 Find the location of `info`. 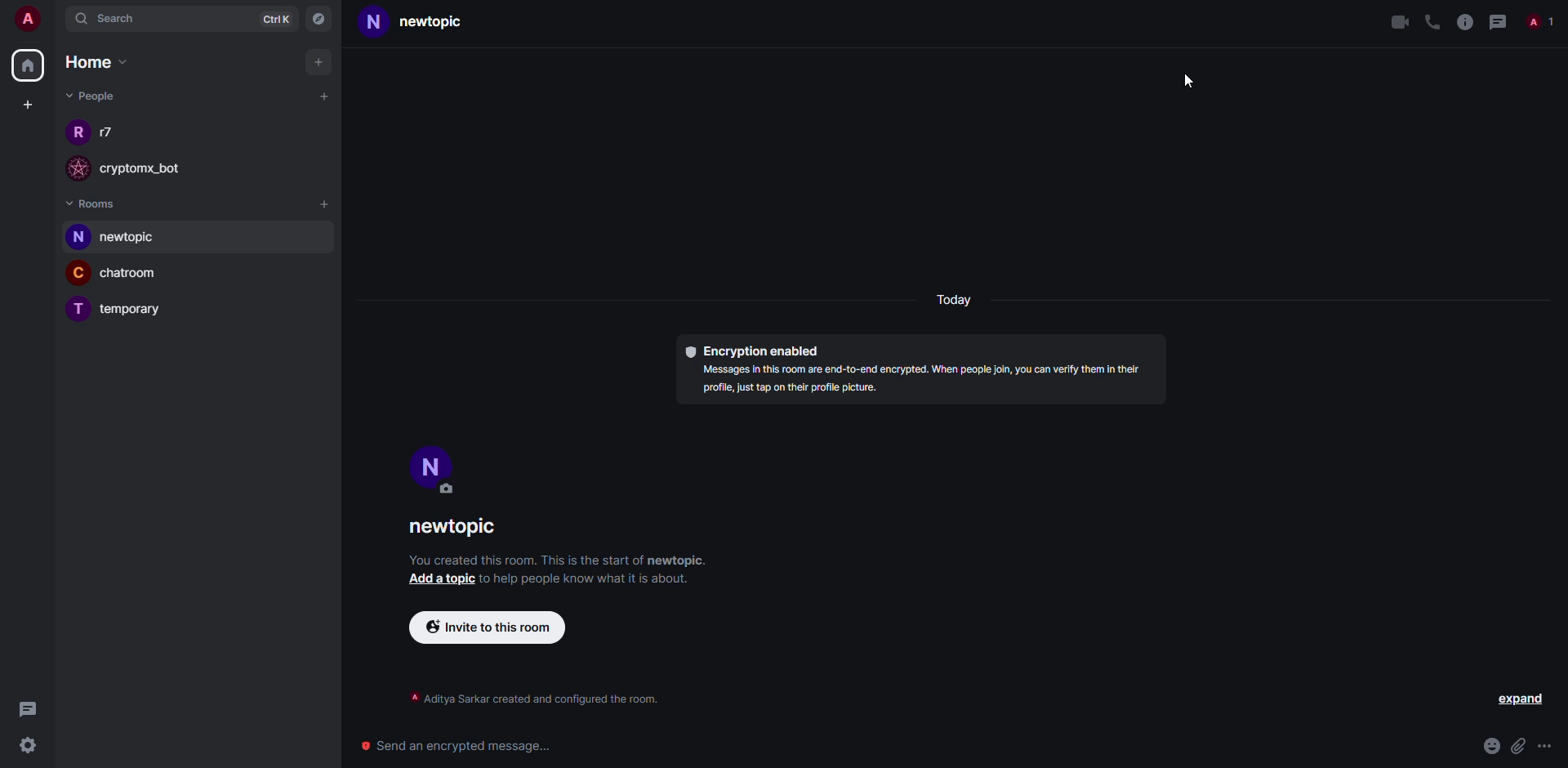

info is located at coordinates (559, 560).